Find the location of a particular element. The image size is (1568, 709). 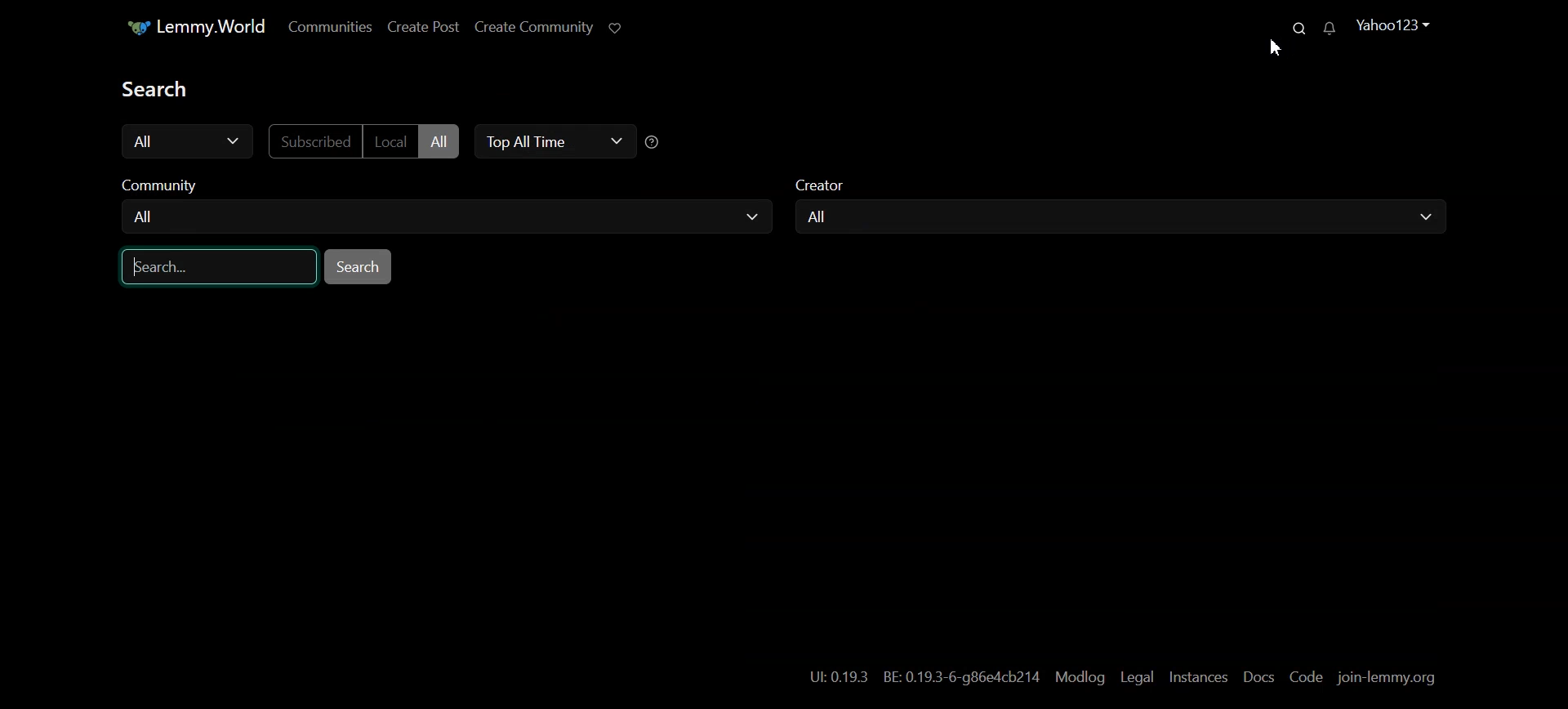

All is located at coordinates (1113, 218).